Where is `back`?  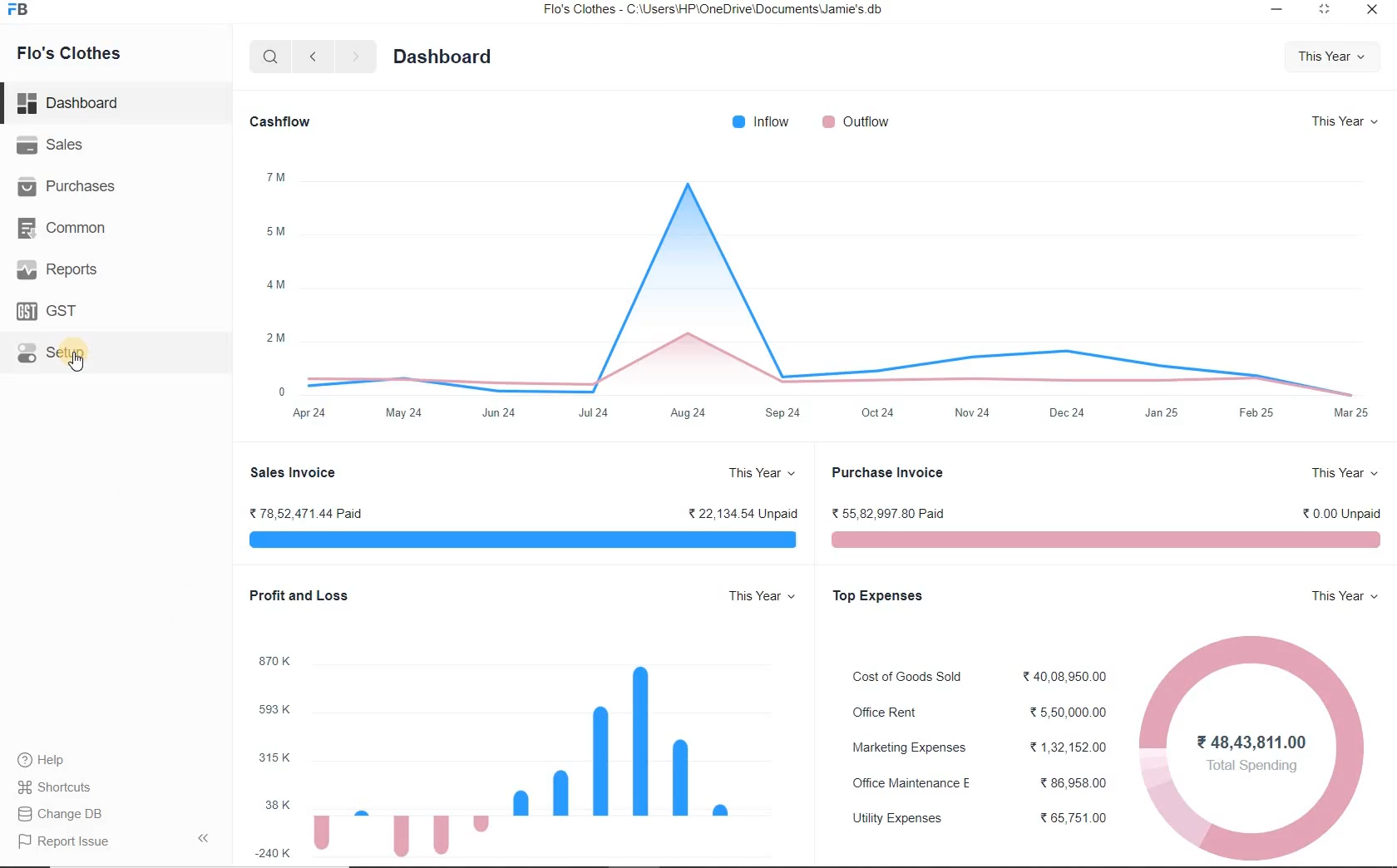
back is located at coordinates (313, 56).